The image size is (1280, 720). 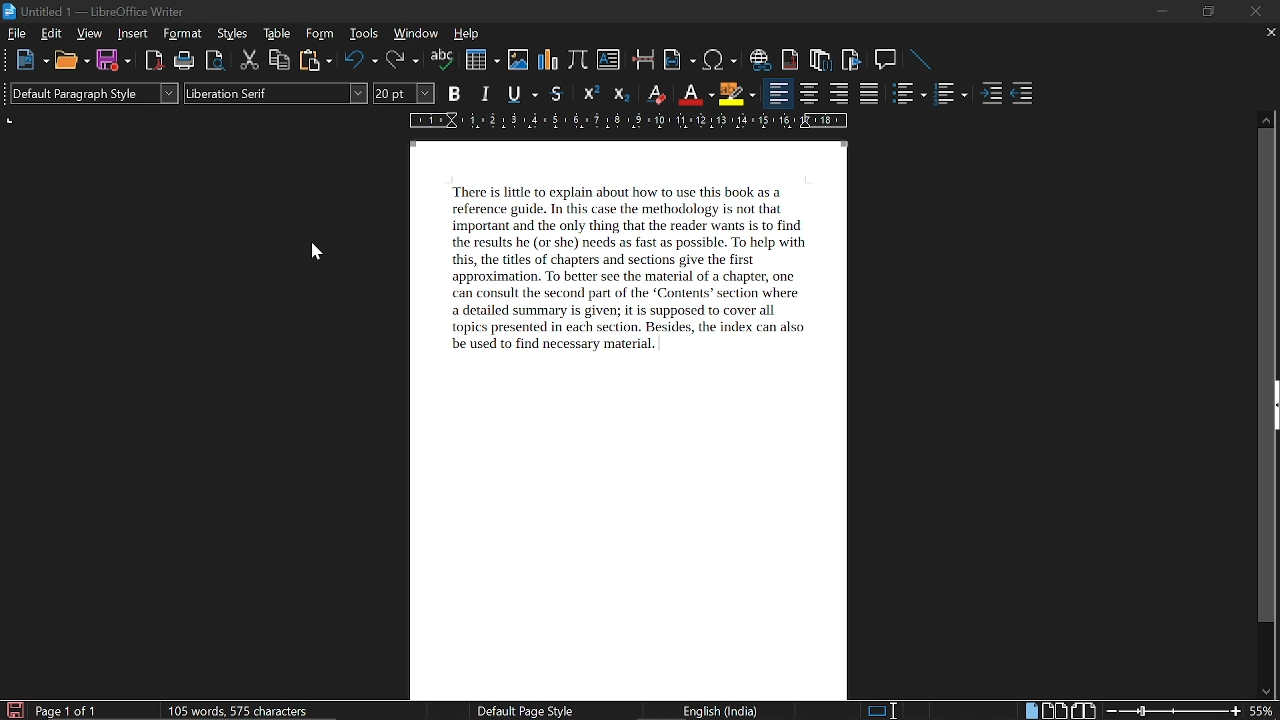 I want to click on font color, so click(x=694, y=95).